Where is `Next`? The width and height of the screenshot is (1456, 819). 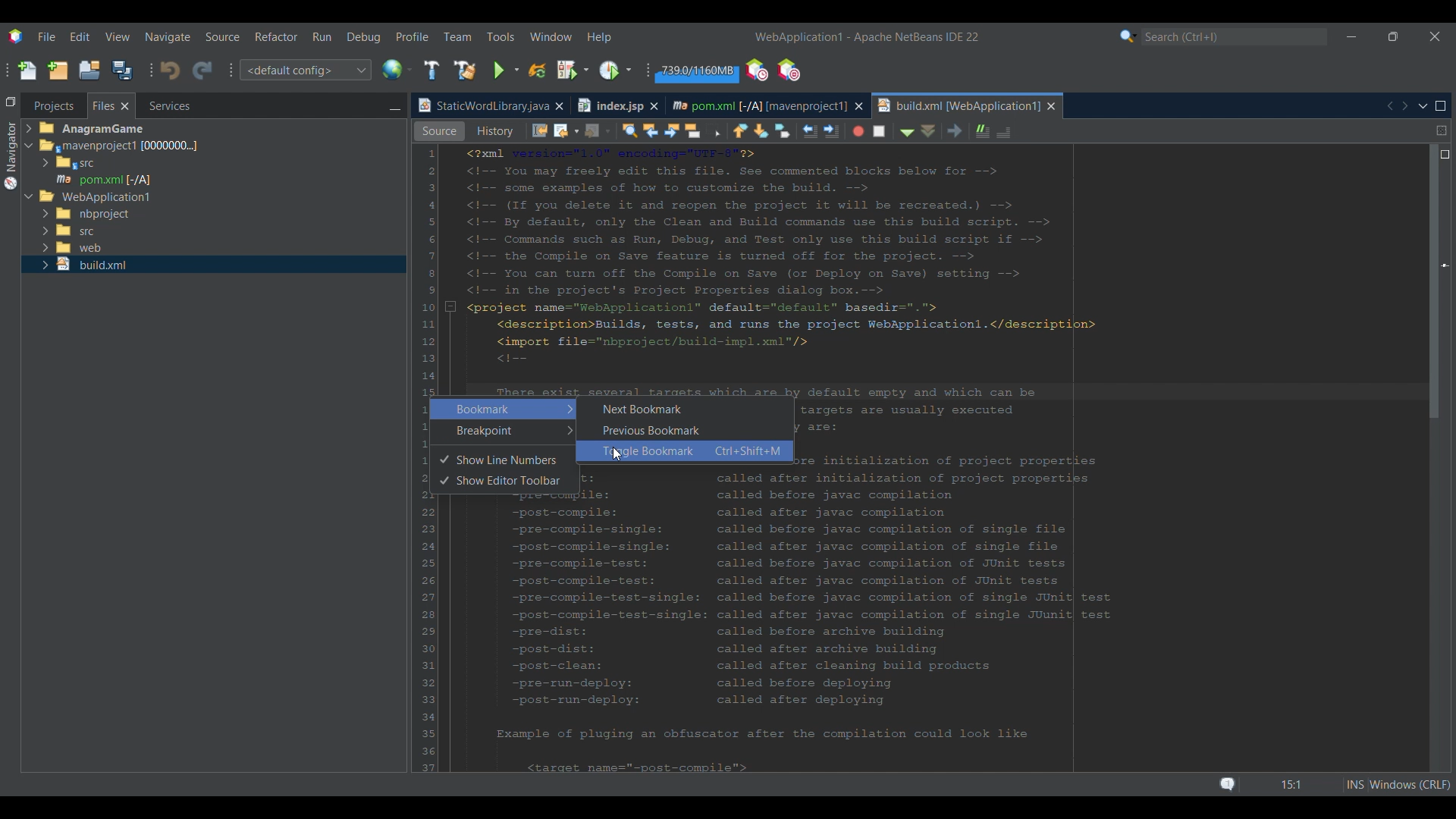
Next is located at coordinates (1404, 105).